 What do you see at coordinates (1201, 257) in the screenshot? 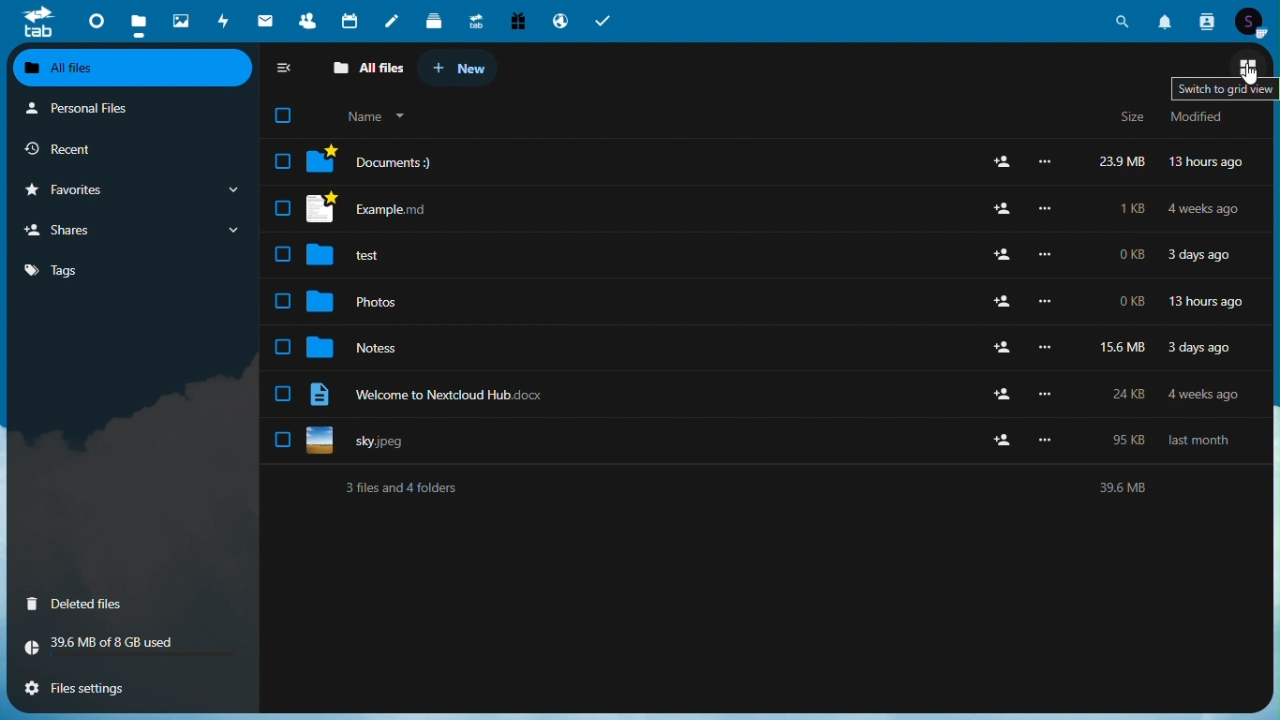
I see `3 days ago` at bounding box center [1201, 257].